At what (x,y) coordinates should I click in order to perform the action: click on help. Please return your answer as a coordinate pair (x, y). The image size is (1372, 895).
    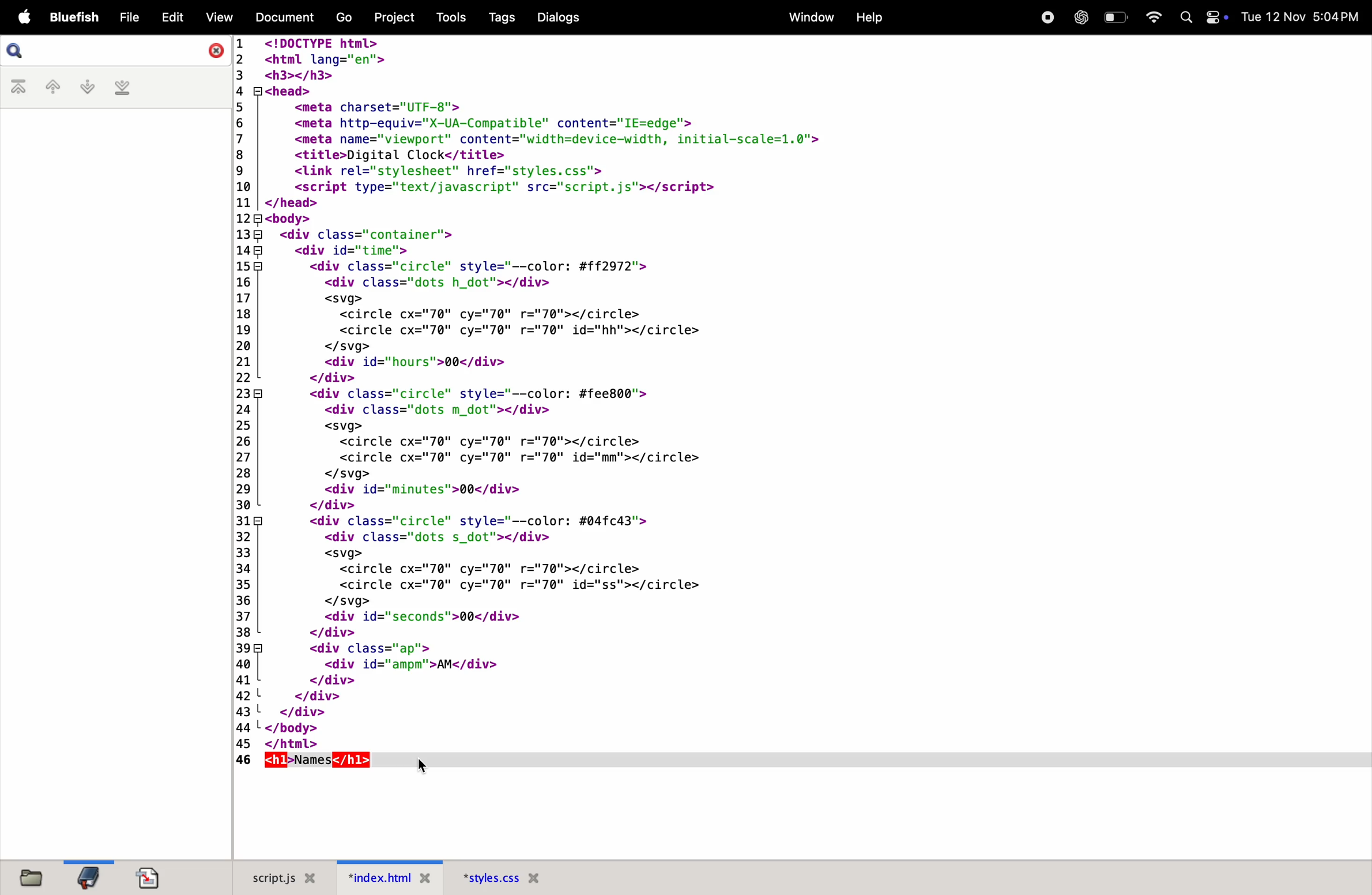
    Looking at the image, I should click on (870, 16).